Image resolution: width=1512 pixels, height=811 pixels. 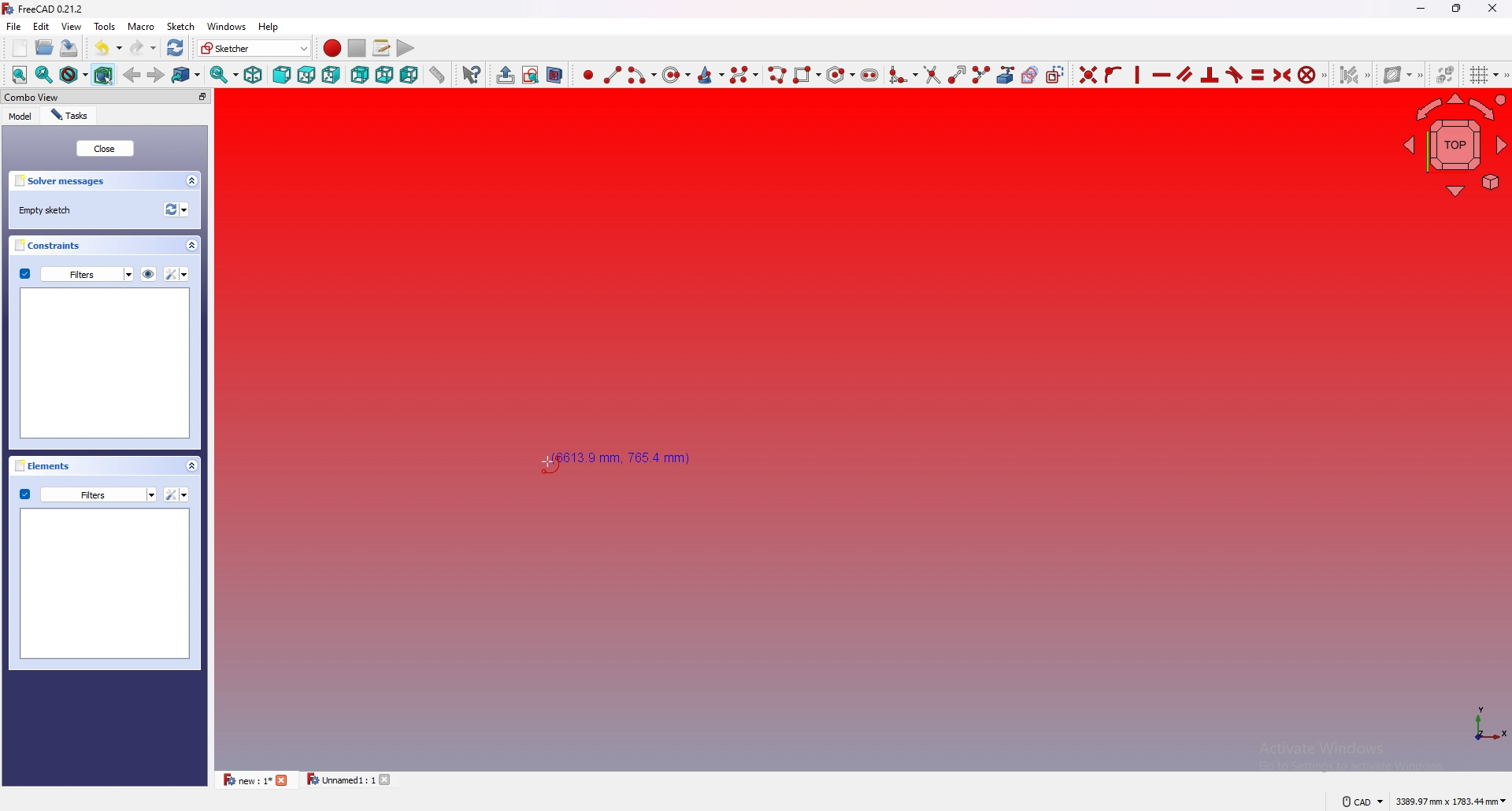 I want to click on collapse, so click(x=191, y=465).